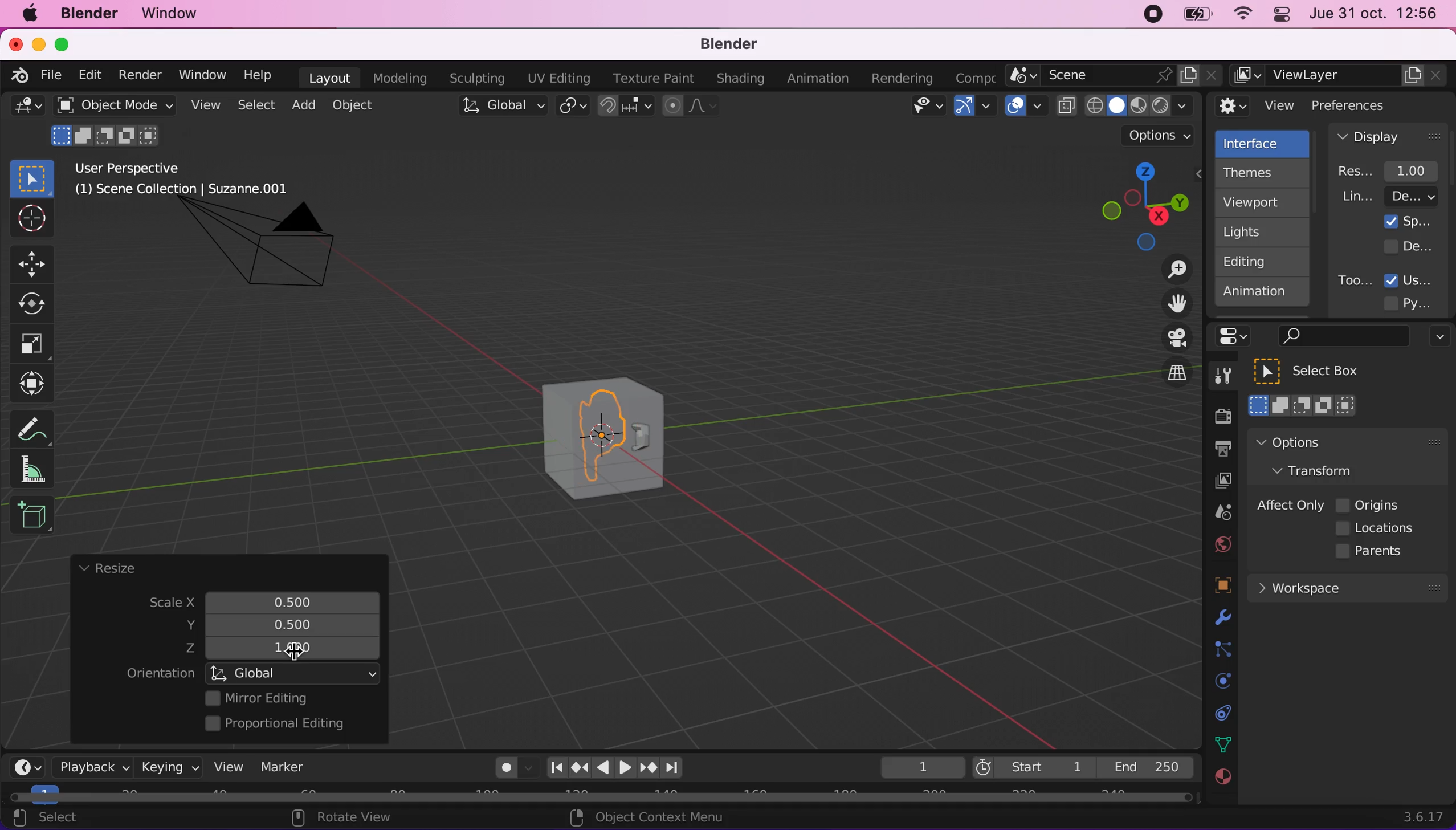 The width and height of the screenshot is (1456, 830). What do you see at coordinates (1256, 106) in the screenshot?
I see `view` at bounding box center [1256, 106].